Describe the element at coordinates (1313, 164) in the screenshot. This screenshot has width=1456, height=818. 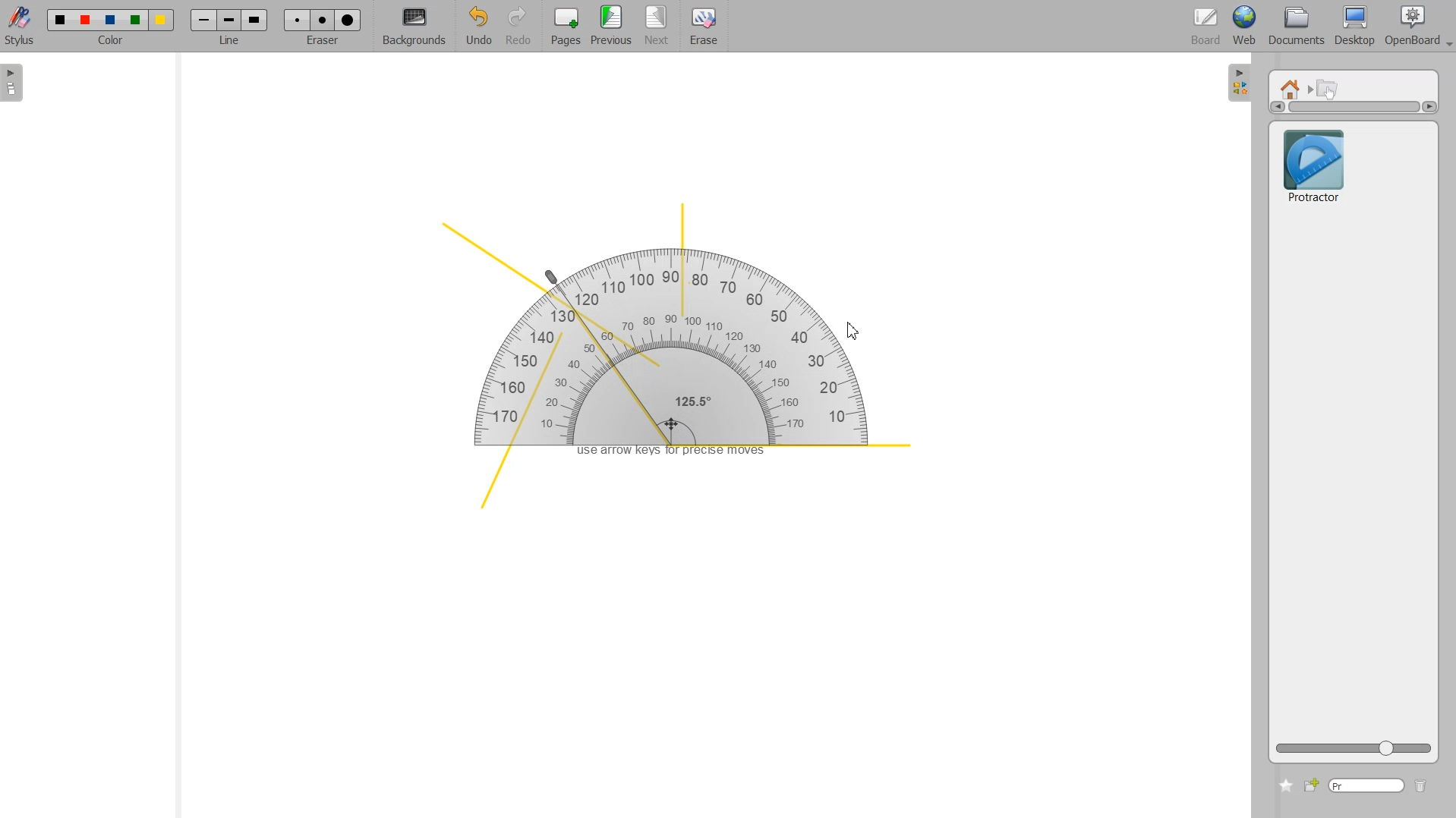
I see `Protractor` at that location.